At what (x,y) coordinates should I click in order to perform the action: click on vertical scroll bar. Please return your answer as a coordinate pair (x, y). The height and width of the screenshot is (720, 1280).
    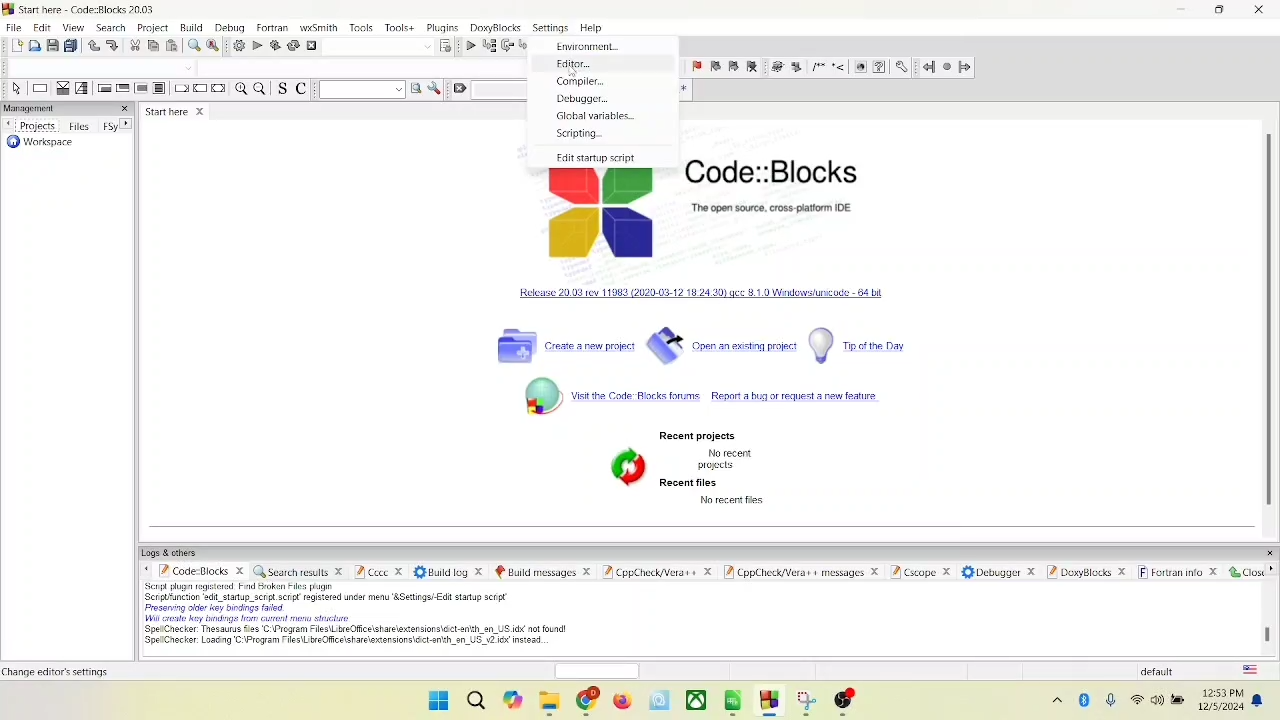
    Looking at the image, I should click on (1267, 317).